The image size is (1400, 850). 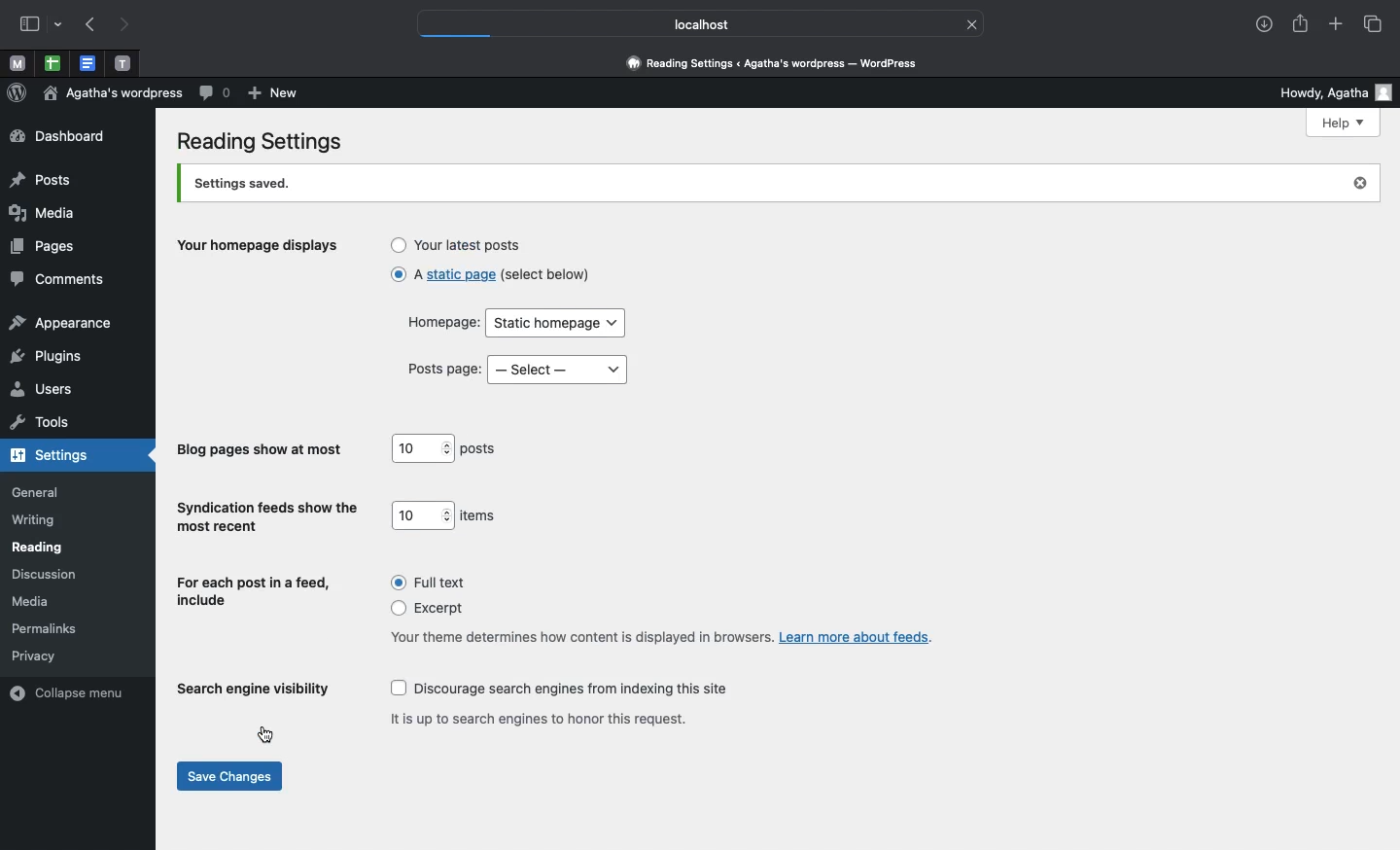 I want to click on permalinks, so click(x=50, y=628).